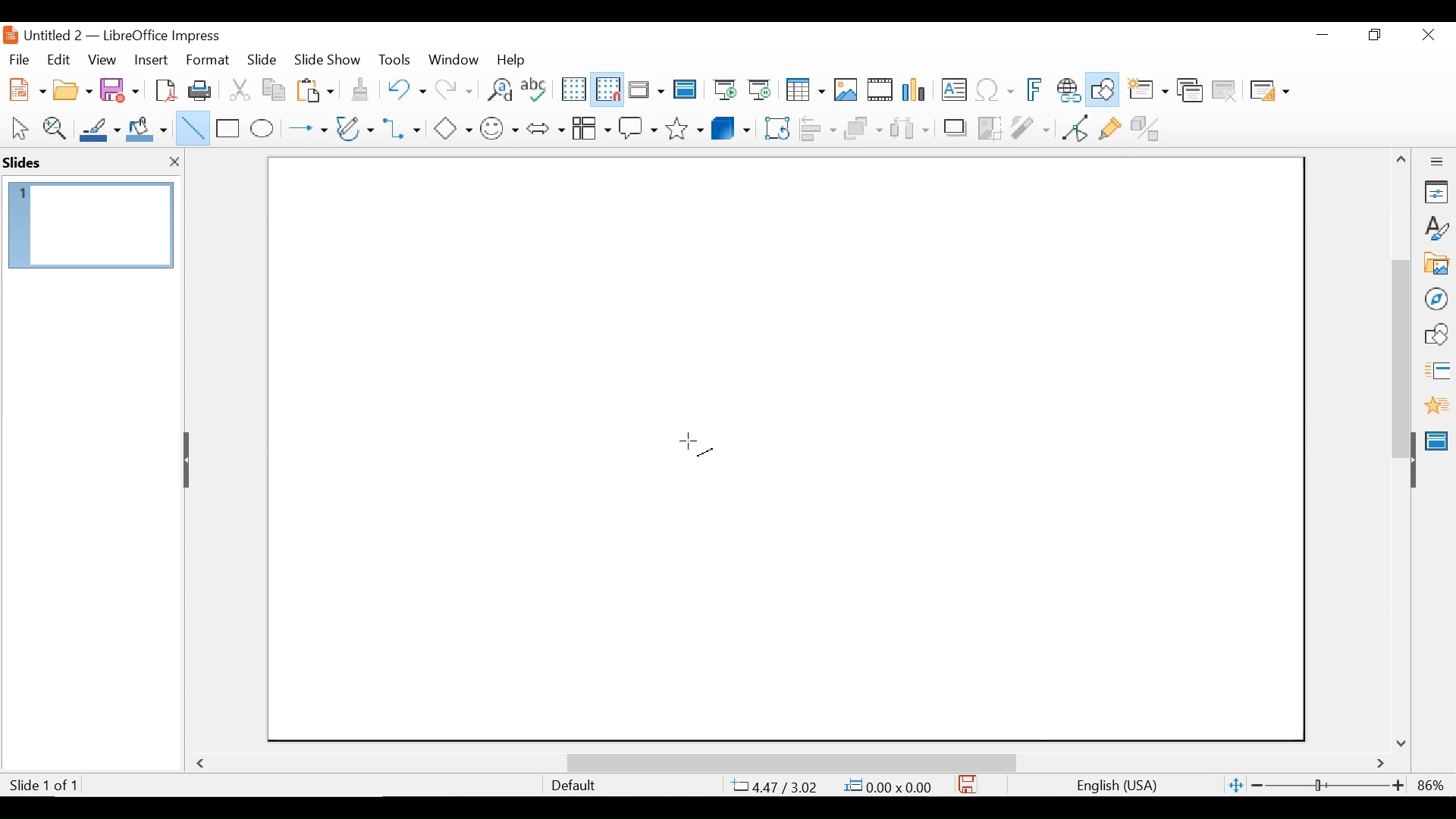 The width and height of the screenshot is (1456, 819). What do you see at coordinates (500, 127) in the screenshot?
I see `Symbol shapes` at bounding box center [500, 127].